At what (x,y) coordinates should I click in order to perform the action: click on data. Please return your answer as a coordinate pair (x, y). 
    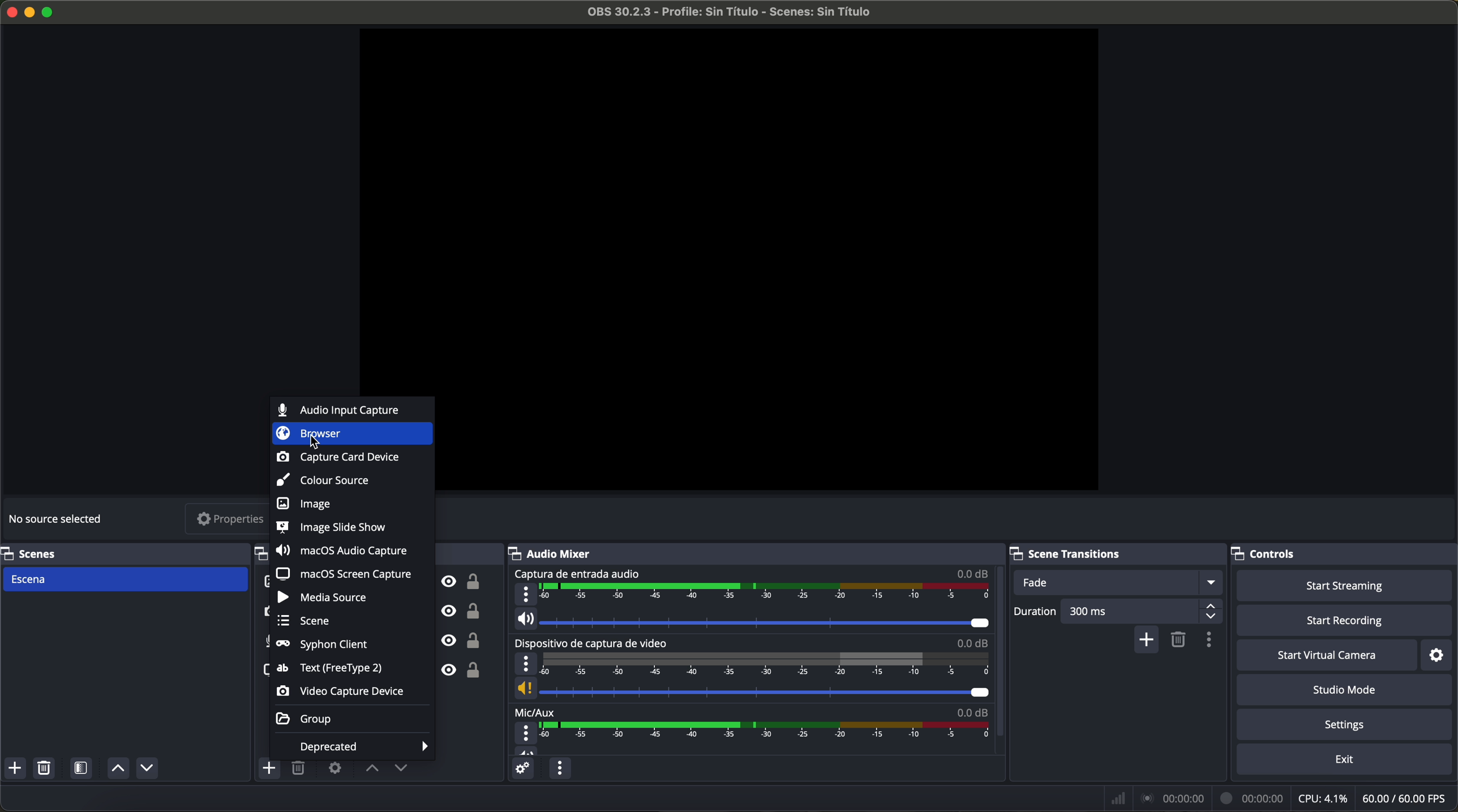
    Looking at the image, I should click on (1280, 797).